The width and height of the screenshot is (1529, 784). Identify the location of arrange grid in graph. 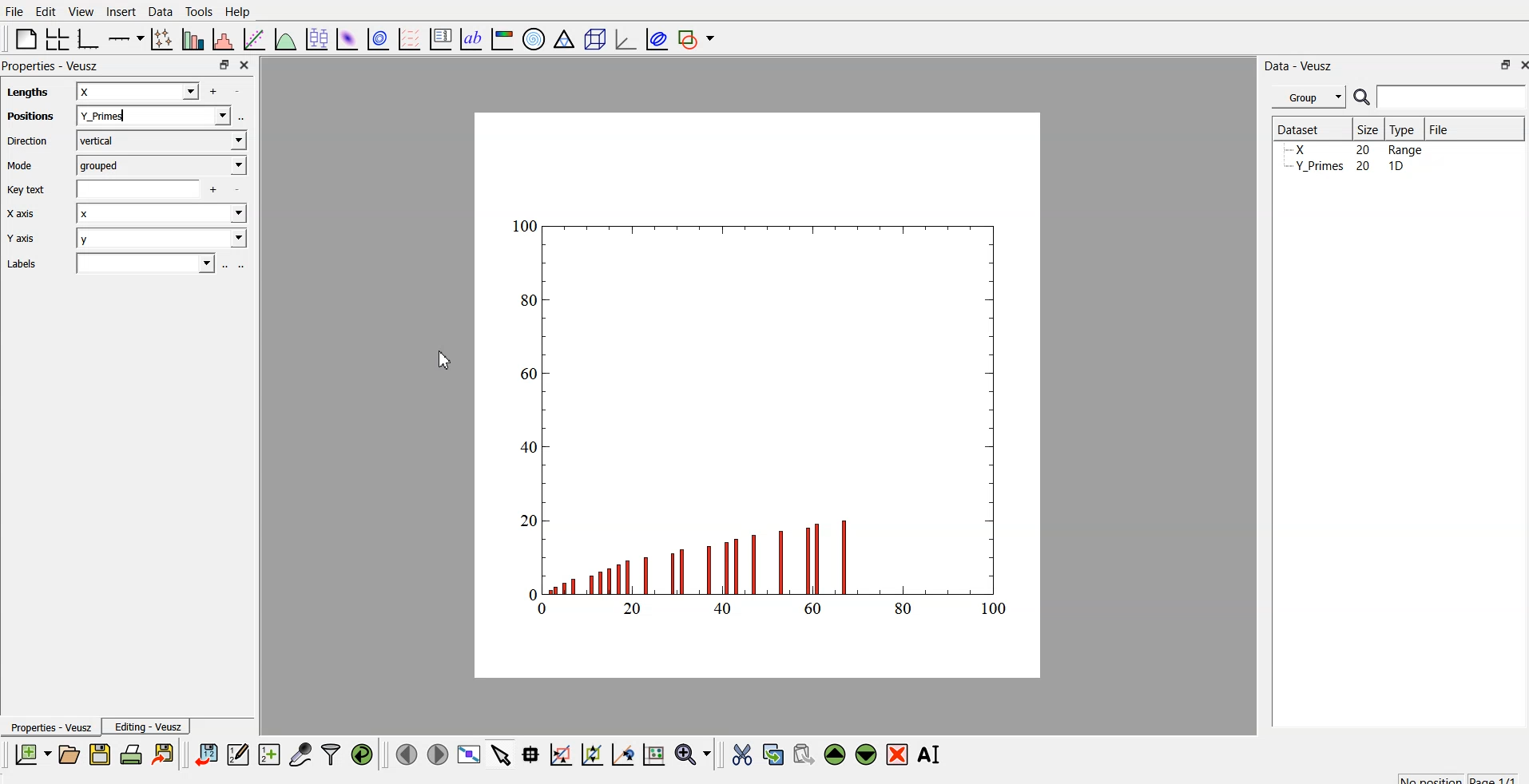
(56, 37).